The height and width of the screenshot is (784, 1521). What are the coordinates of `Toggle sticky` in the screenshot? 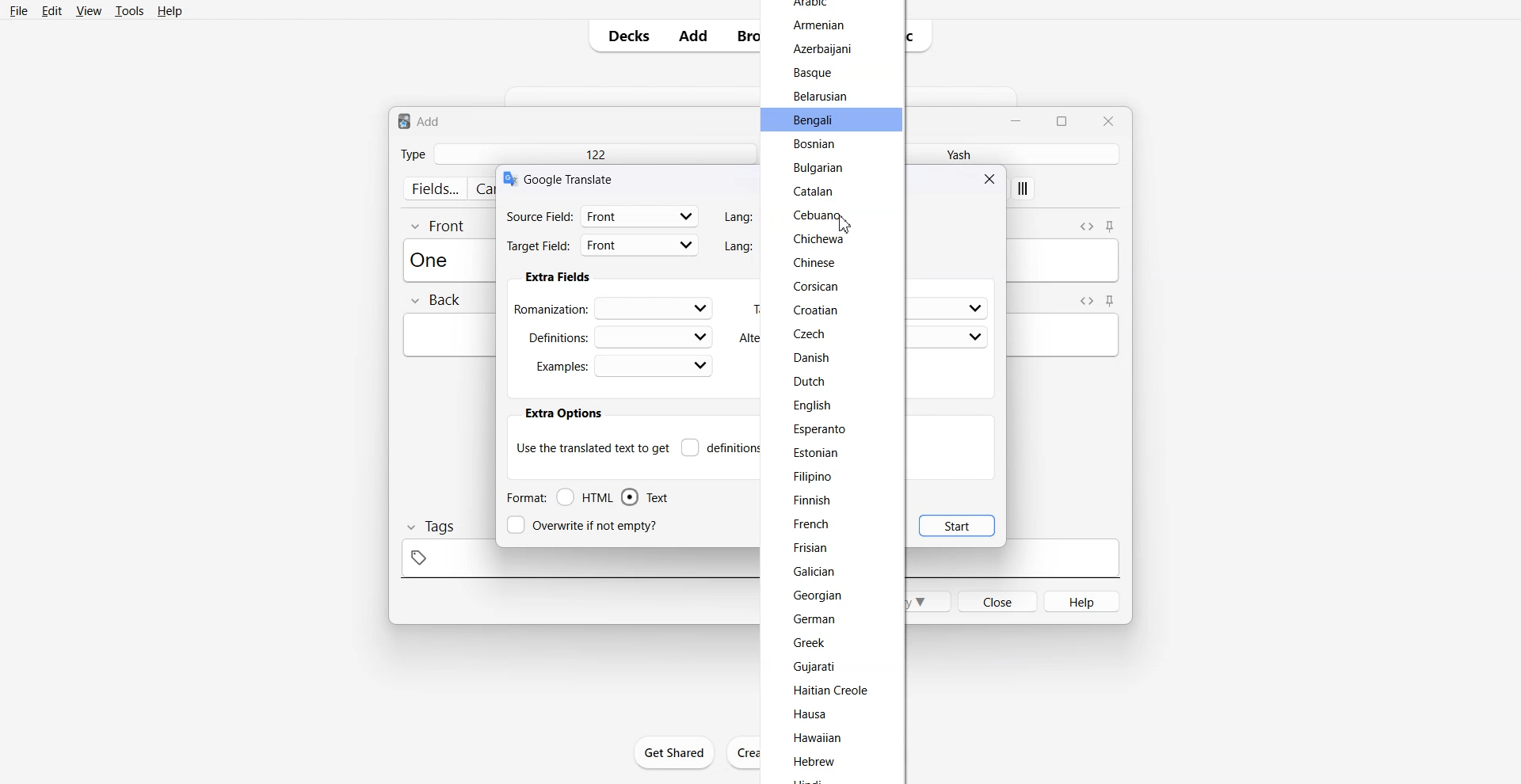 It's located at (1111, 301).